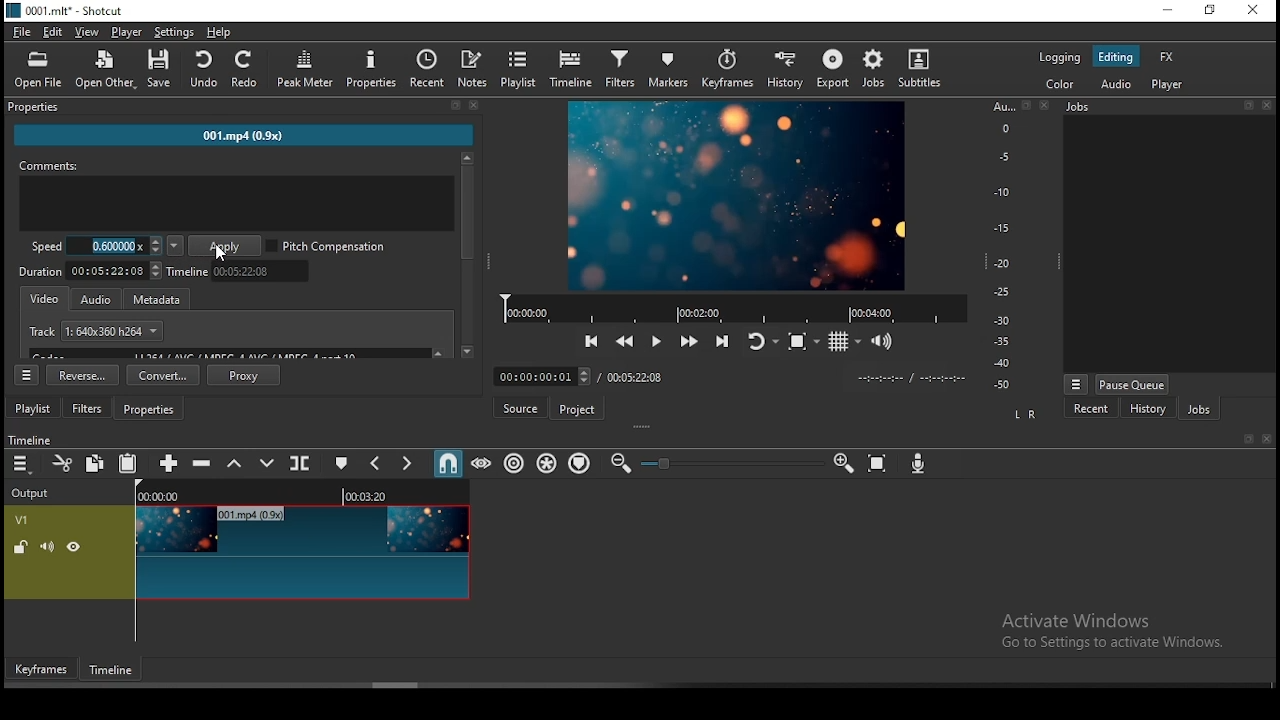 The width and height of the screenshot is (1280, 720). Describe the element at coordinates (1255, 8) in the screenshot. I see `close window` at that location.